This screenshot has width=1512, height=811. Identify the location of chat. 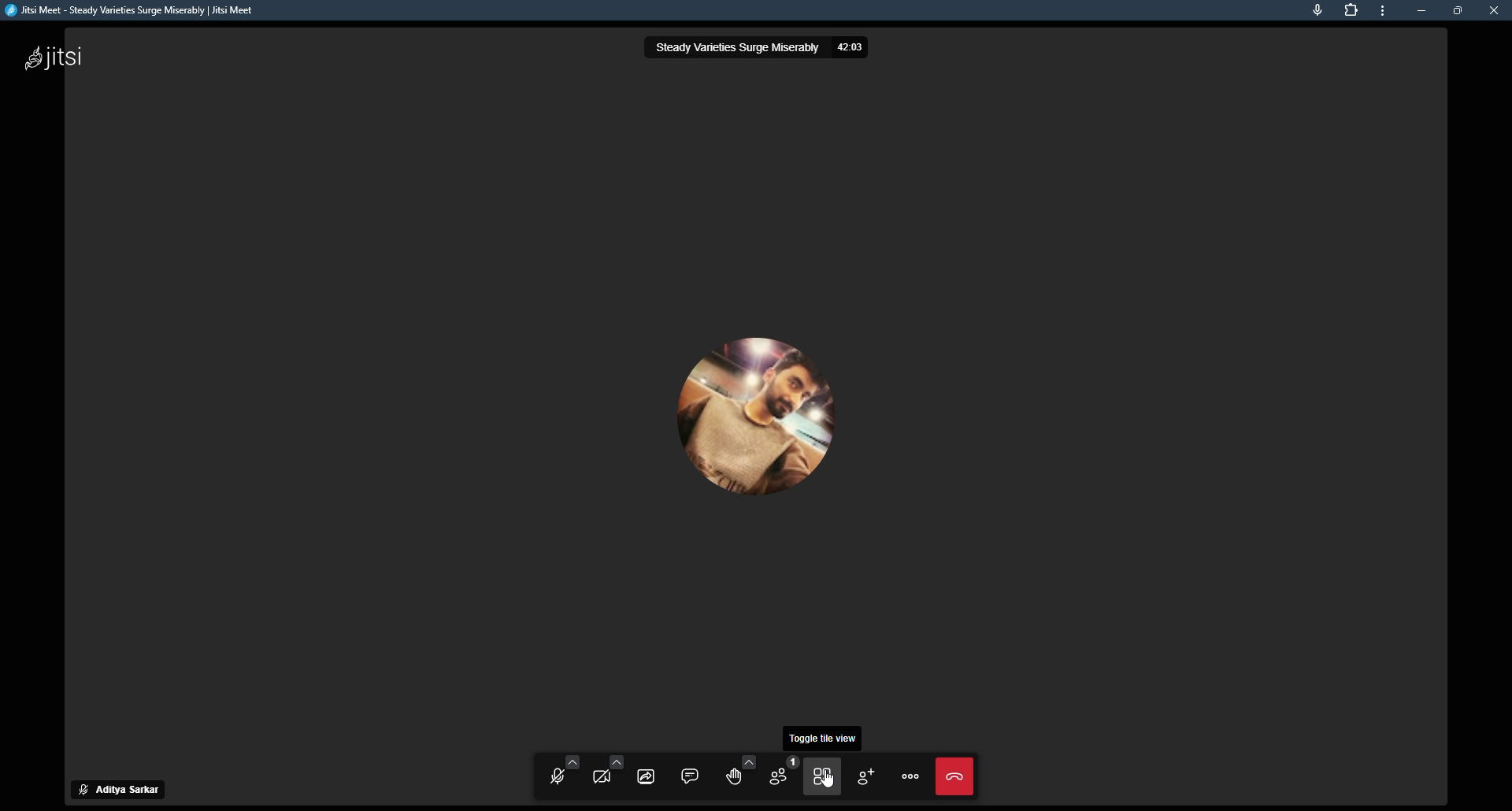
(691, 776).